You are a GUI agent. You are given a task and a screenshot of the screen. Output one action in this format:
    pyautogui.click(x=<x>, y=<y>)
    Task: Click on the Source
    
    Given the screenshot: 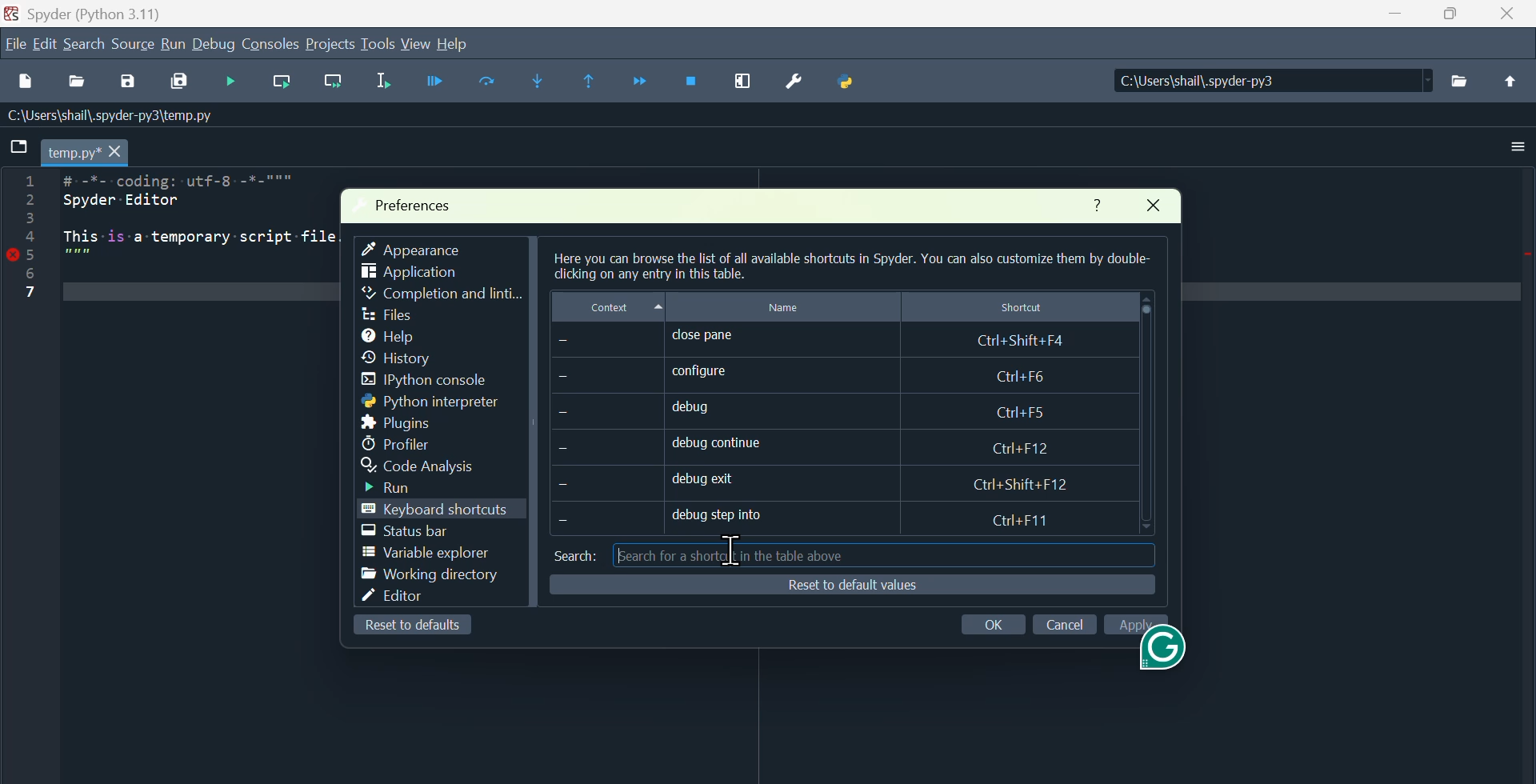 What is the action you would take?
    pyautogui.click(x=134, y=48)
    